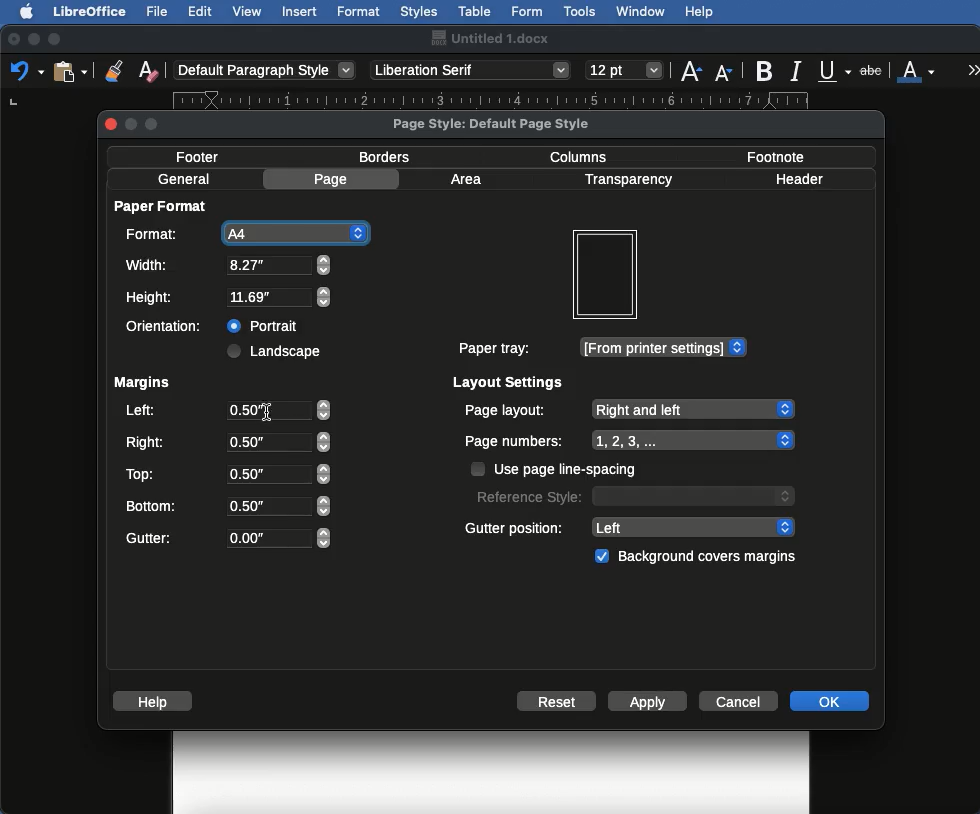  Describe the element at coordinates (527, 12) in the screenshot. I see `Form` at that location.